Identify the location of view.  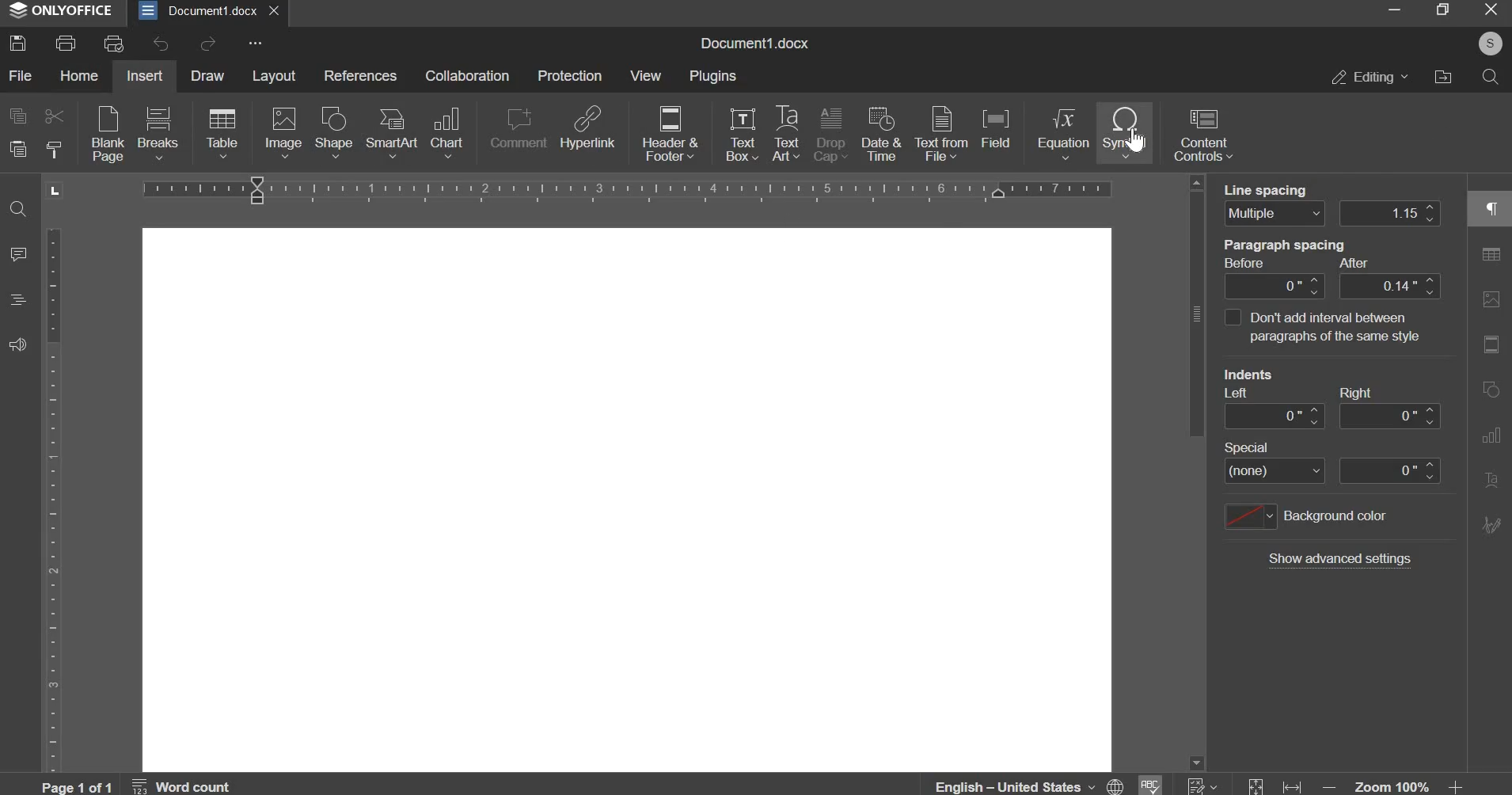
(647, 75).